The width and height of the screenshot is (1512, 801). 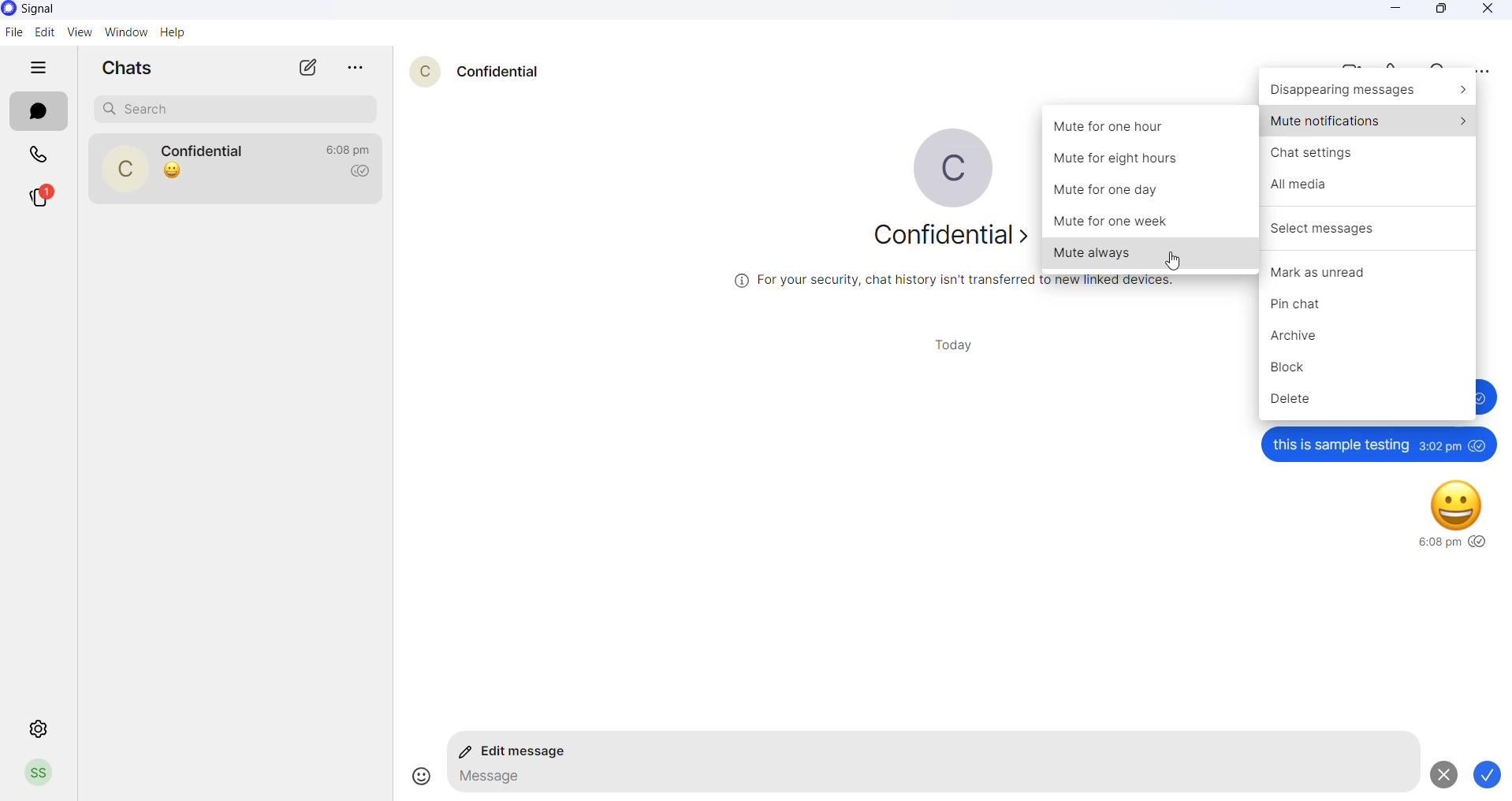 What do you see at coordinates (1480, 542) in the screenshot?
I see `seen` at bounding box center [1480, 542].